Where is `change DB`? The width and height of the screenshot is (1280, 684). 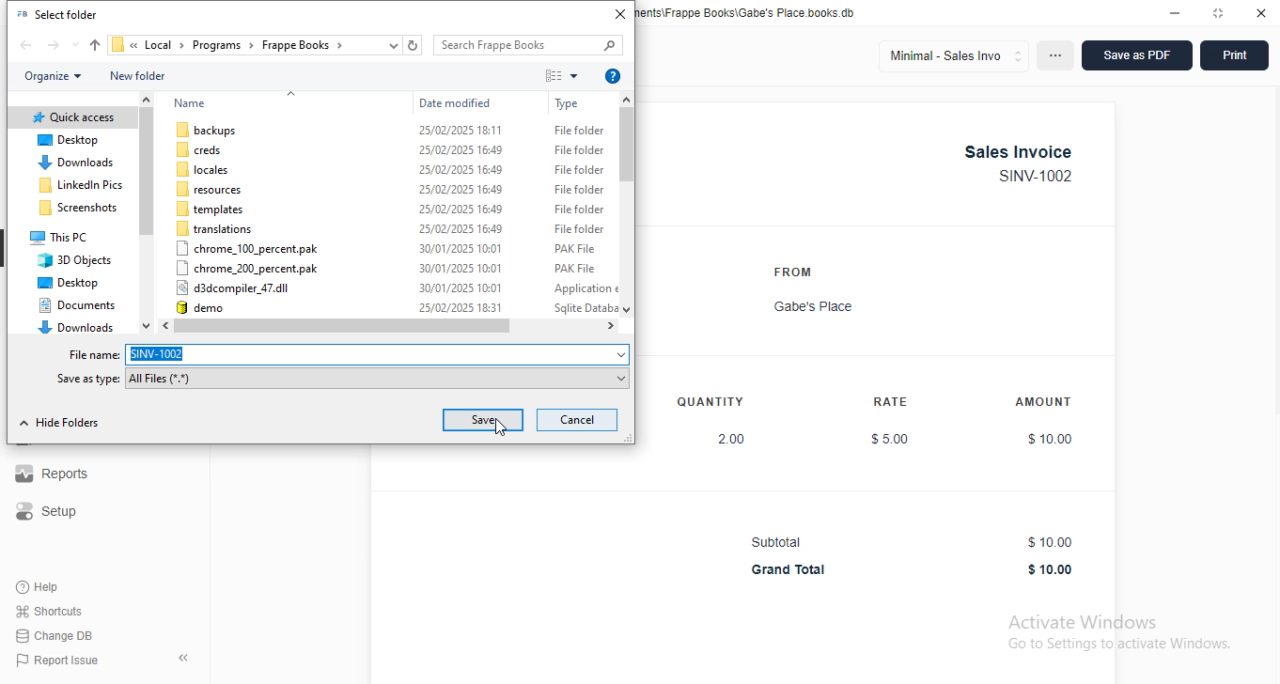 change DB is located at coordinates (54, 636).